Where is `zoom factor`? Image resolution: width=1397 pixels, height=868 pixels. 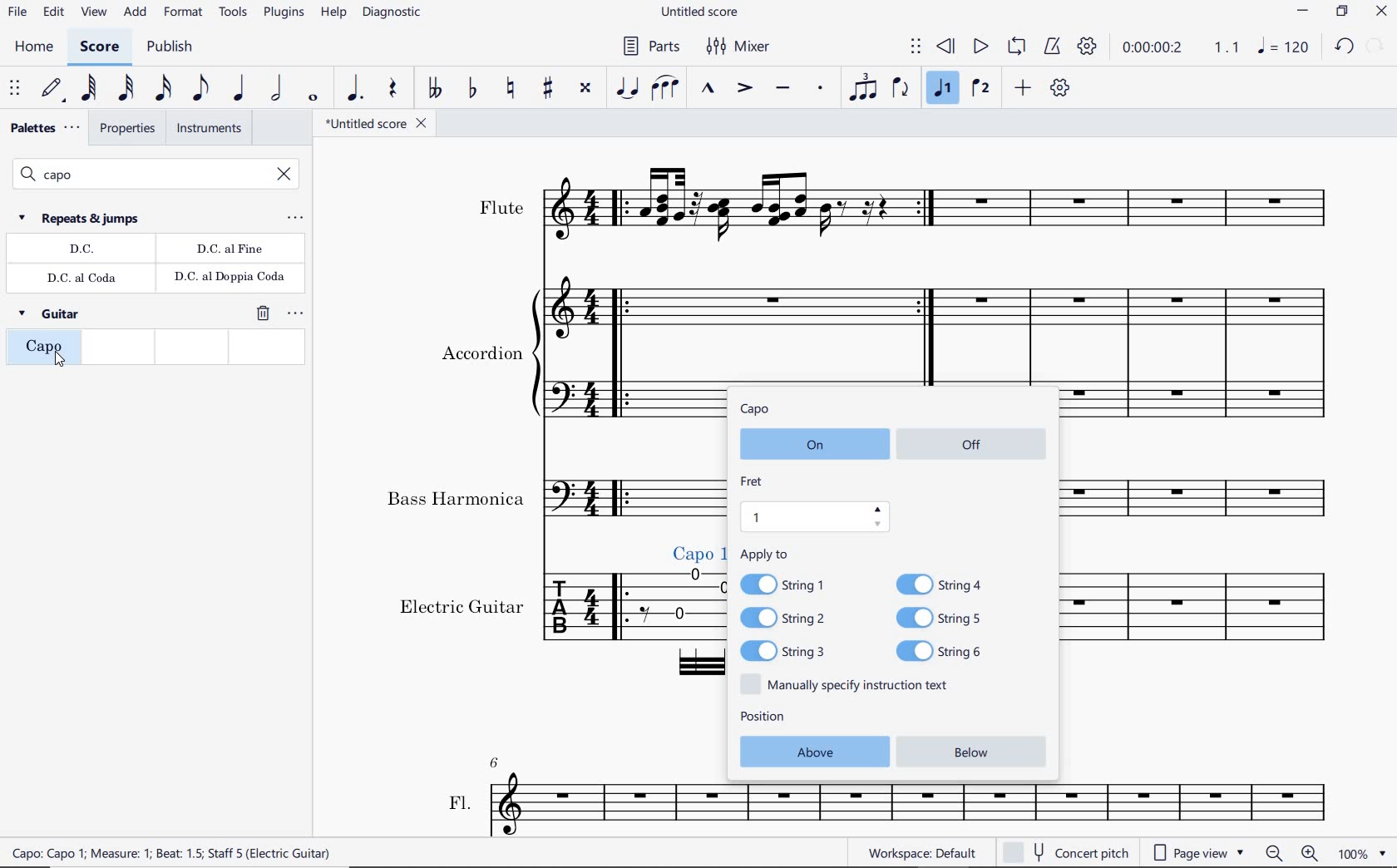
zoom factor is located at coordinates (1360, 854).